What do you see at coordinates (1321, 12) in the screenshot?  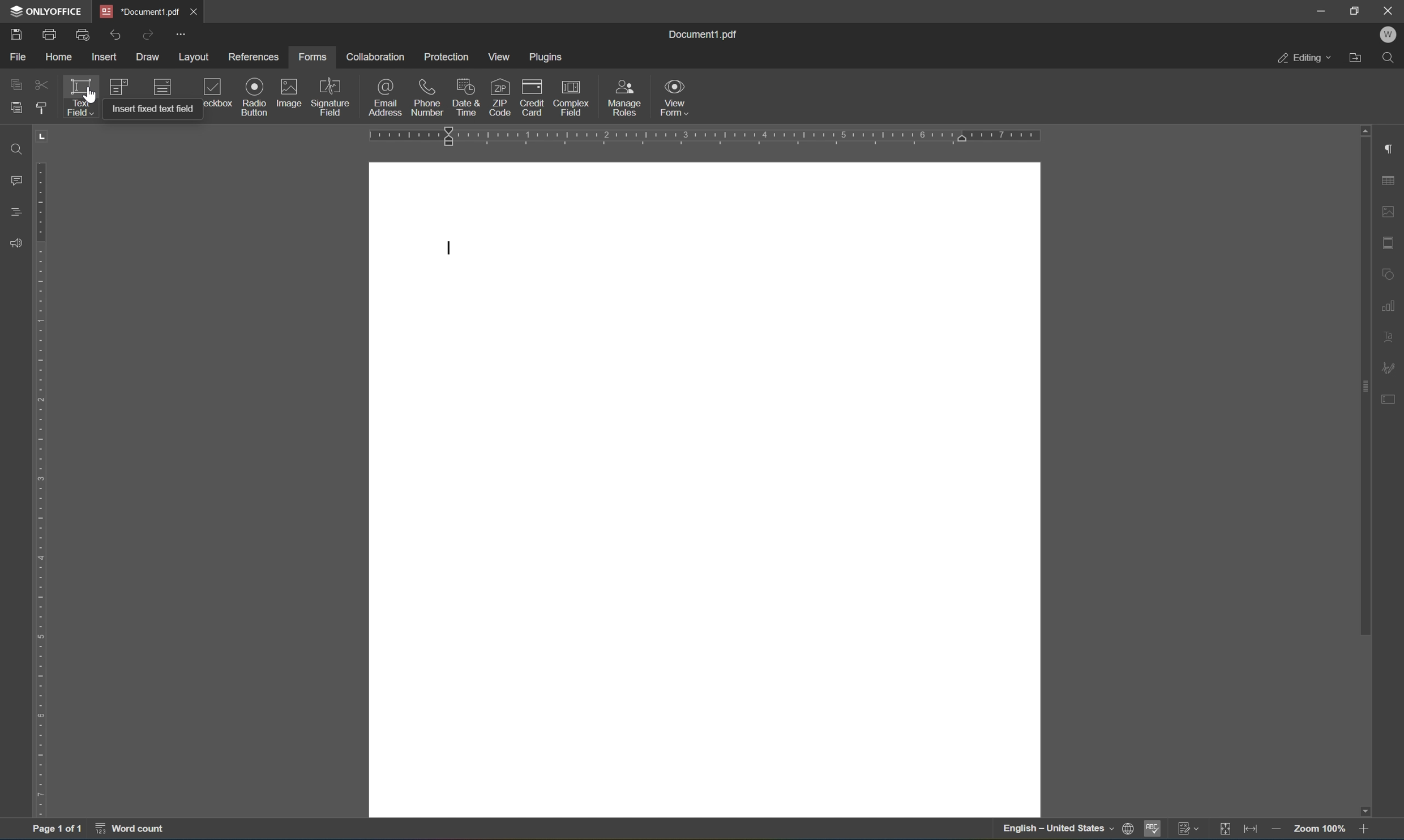 I see `minimize` at bounding box center [1321, 12].